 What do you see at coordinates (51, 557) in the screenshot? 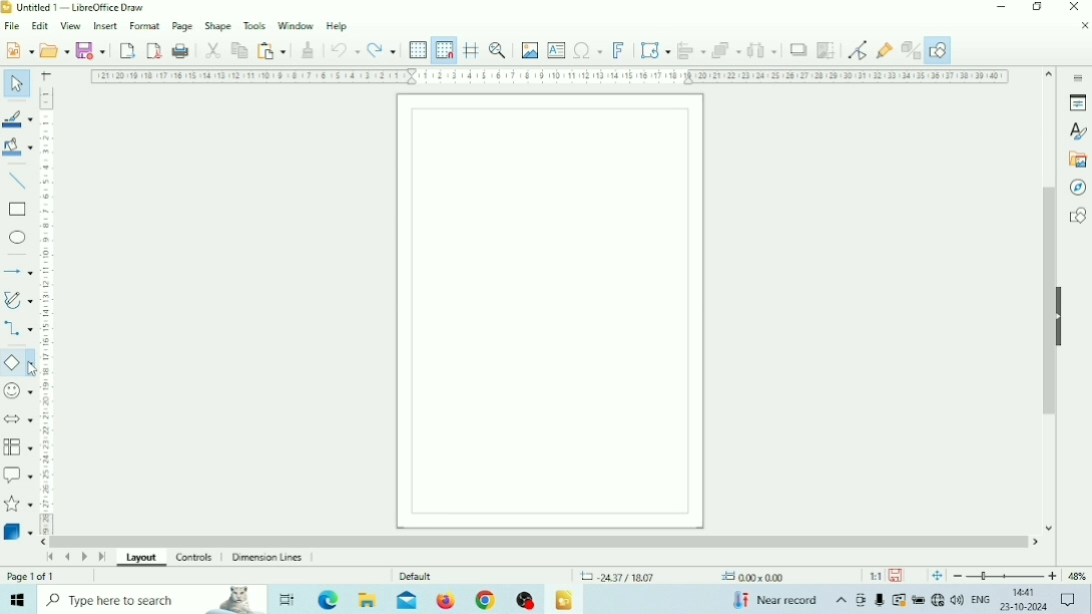
I see `Scroll to first page` at bounding box center [51, 557].